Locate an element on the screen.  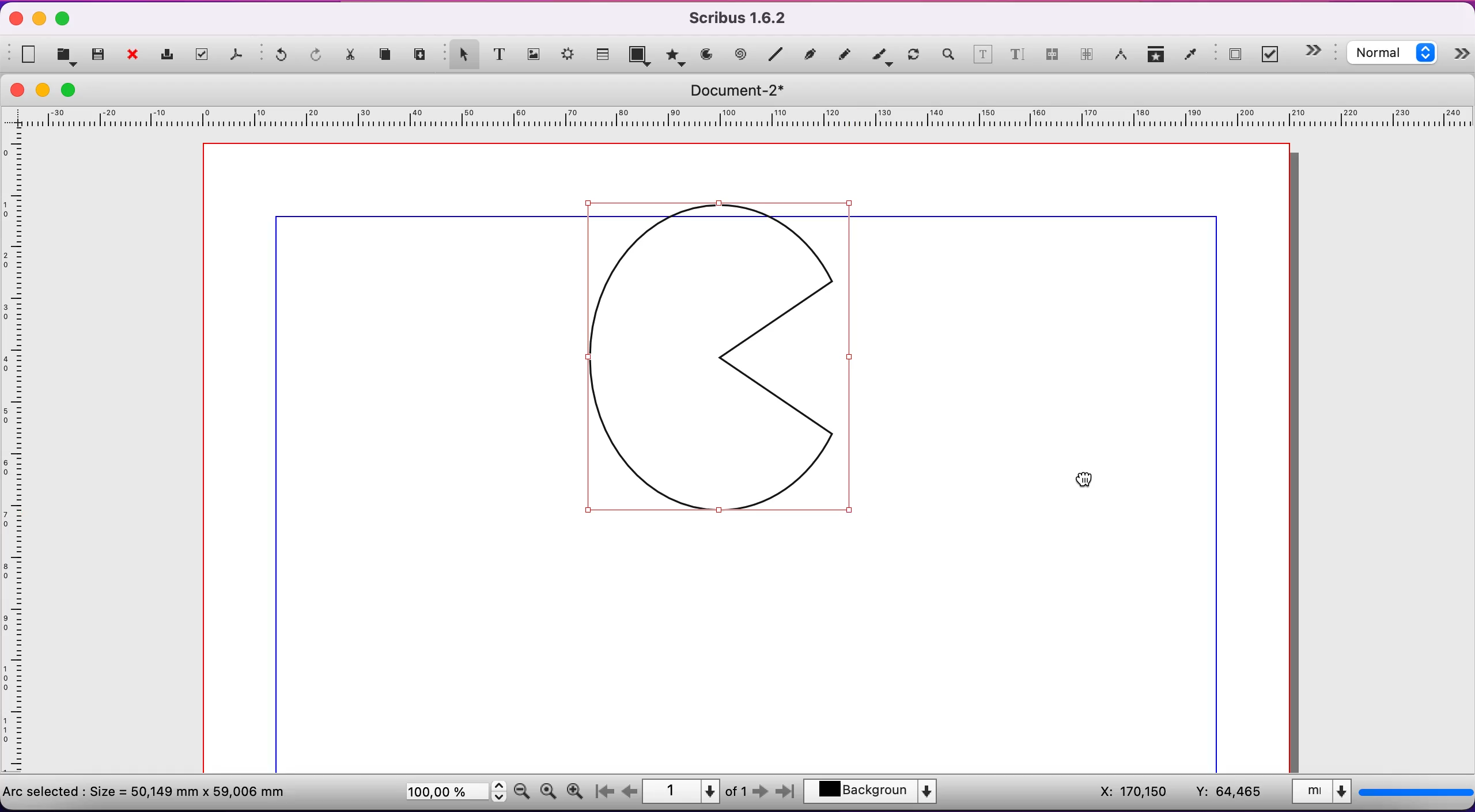
table is located at coordinates (604, 52).